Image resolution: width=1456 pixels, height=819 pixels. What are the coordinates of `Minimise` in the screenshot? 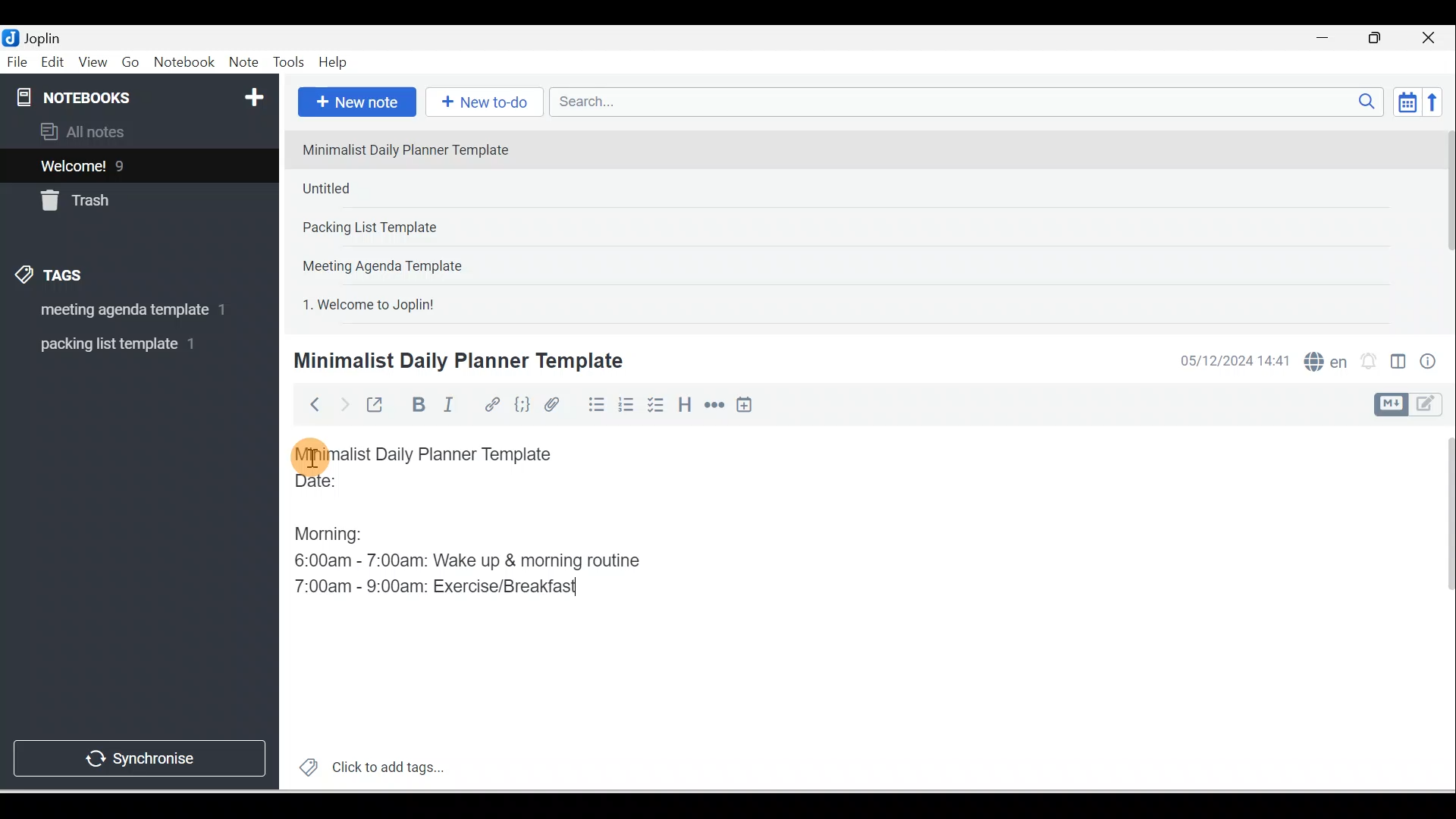 It's located at (1327, 39).